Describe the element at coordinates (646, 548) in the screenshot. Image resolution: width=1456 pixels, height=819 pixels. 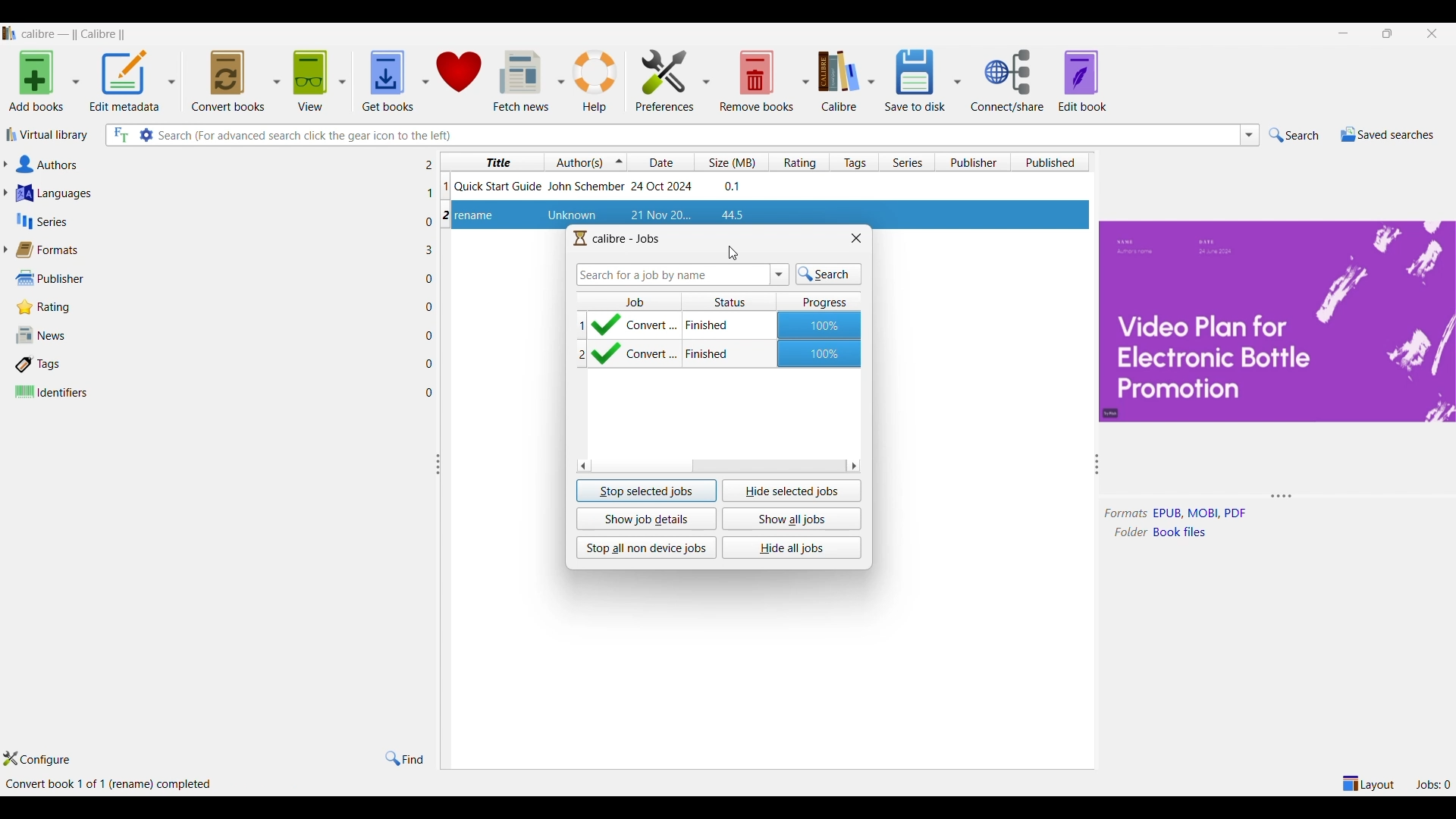
I see `Stop all non device jobs` at that location.